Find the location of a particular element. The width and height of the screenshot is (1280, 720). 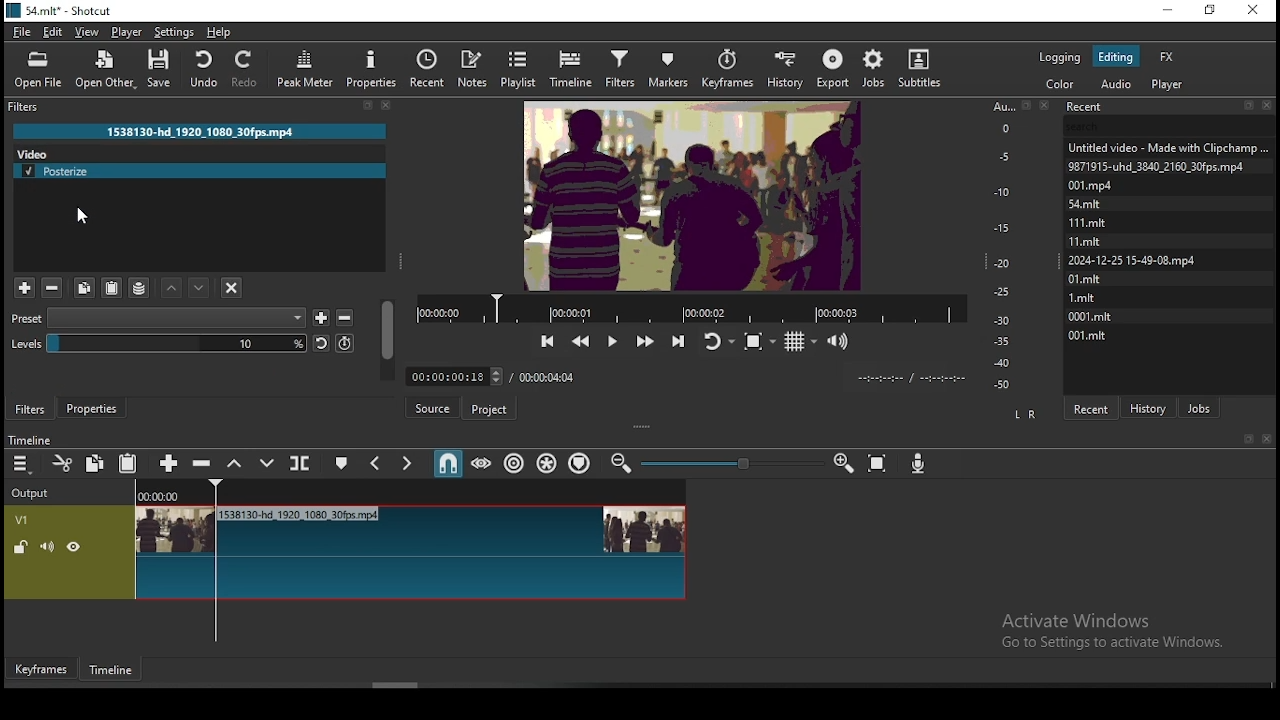

111.mlt is located at coordinates (1087, 220).